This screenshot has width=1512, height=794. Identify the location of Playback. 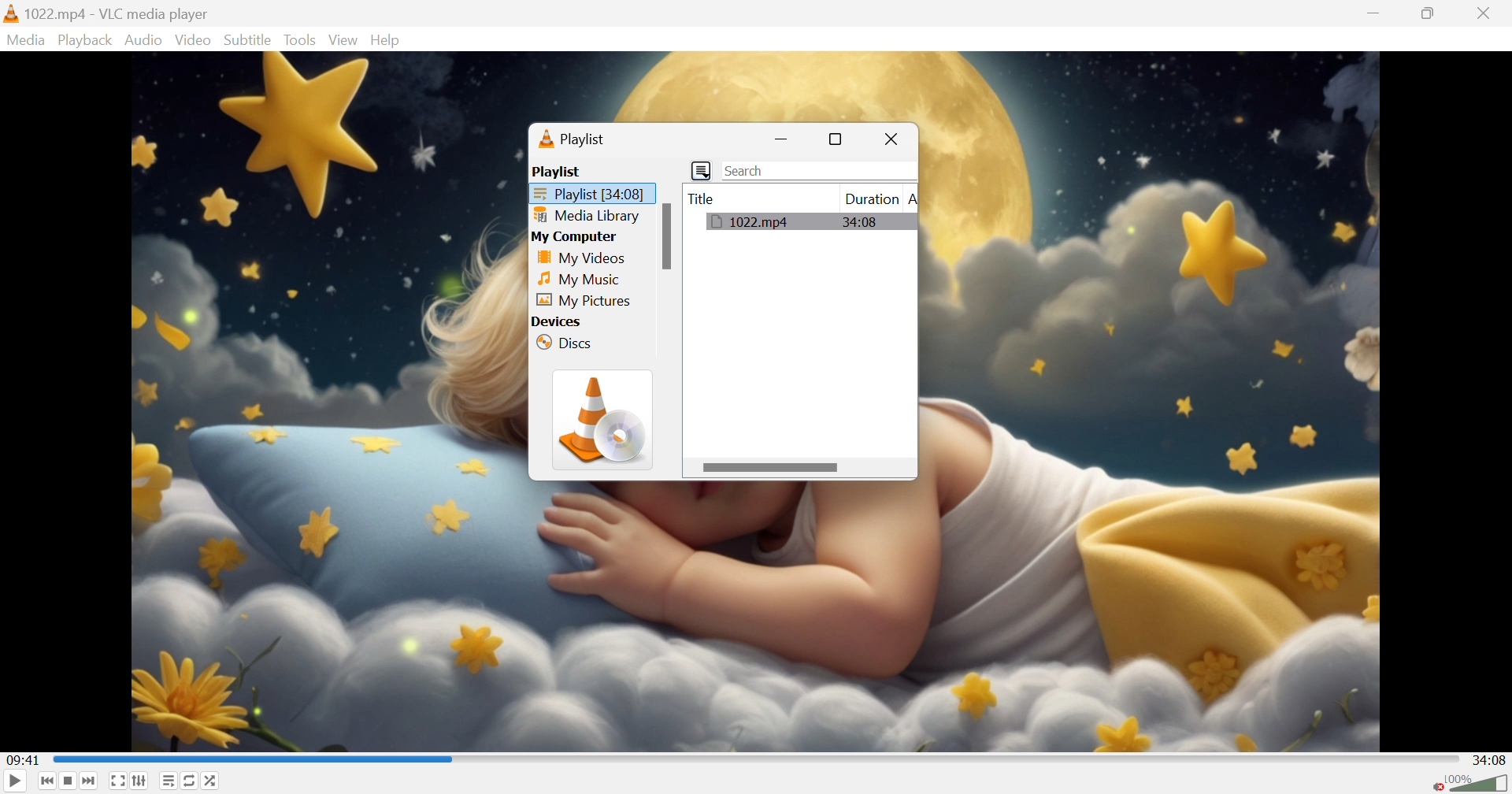
(84, 39).